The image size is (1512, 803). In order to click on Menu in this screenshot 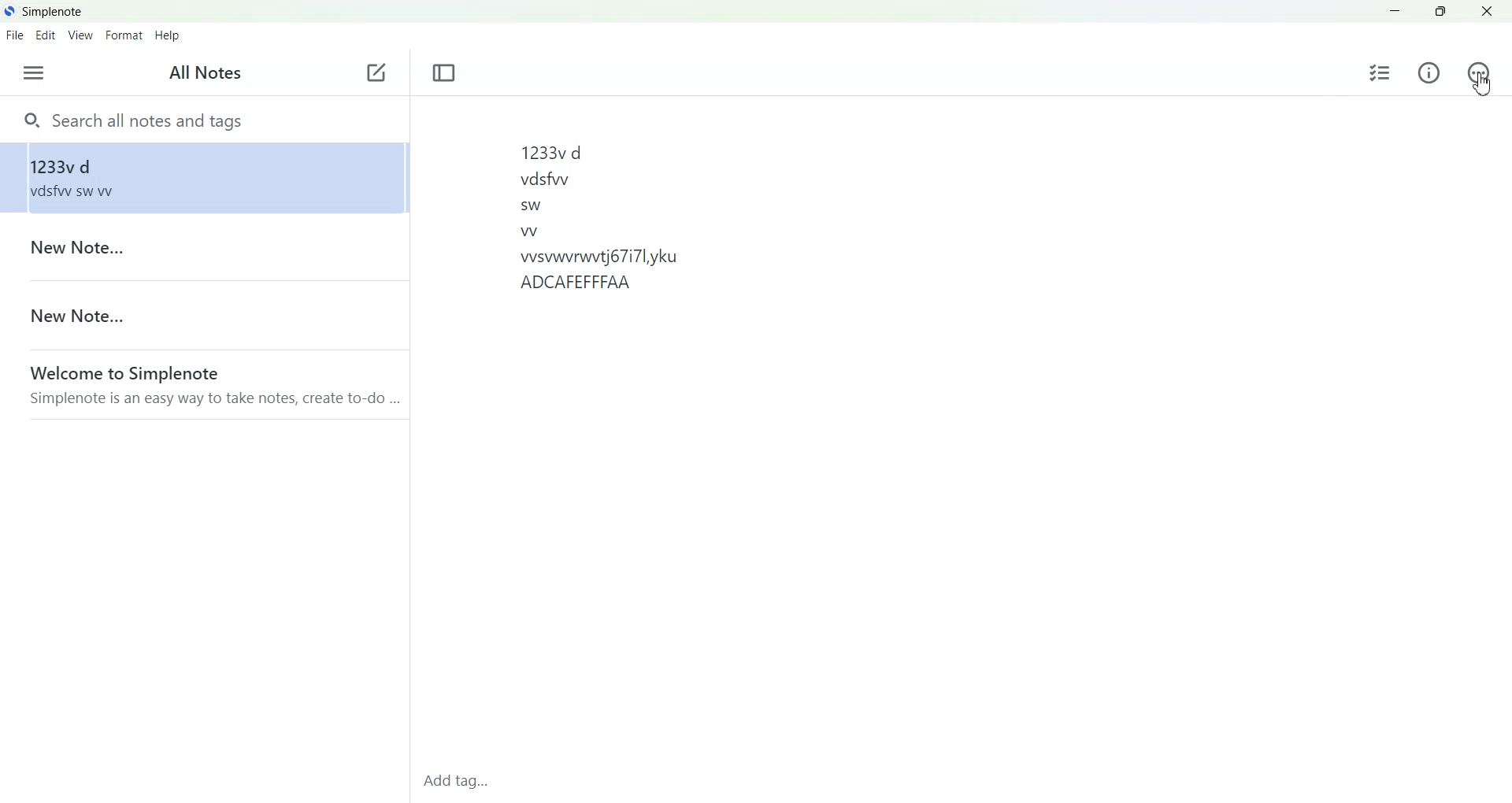, I will do `click(33, 72)`.